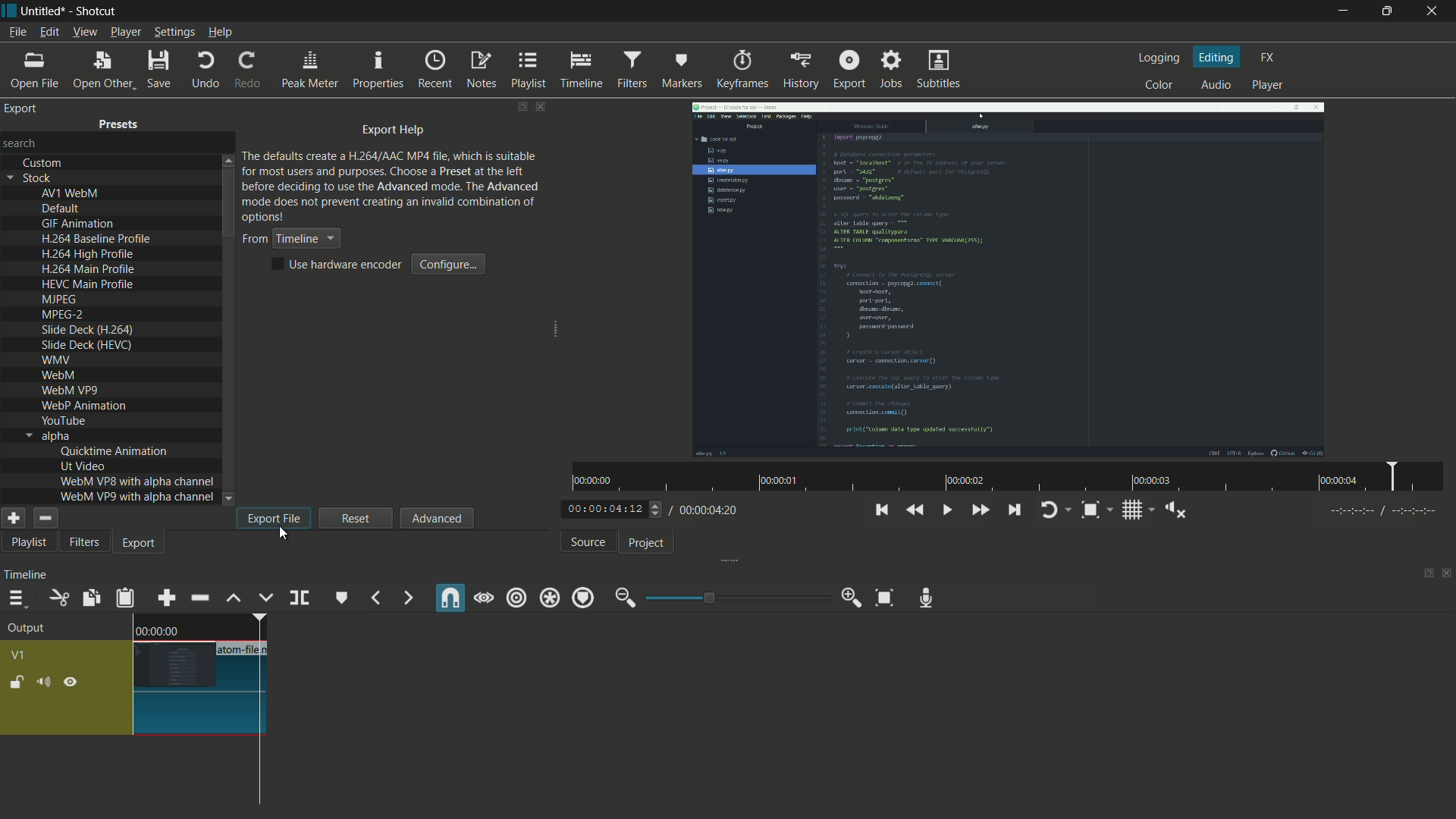 The height and width of the screenshot is (819, 1456). I want to click on help menu, so click(221, 33).